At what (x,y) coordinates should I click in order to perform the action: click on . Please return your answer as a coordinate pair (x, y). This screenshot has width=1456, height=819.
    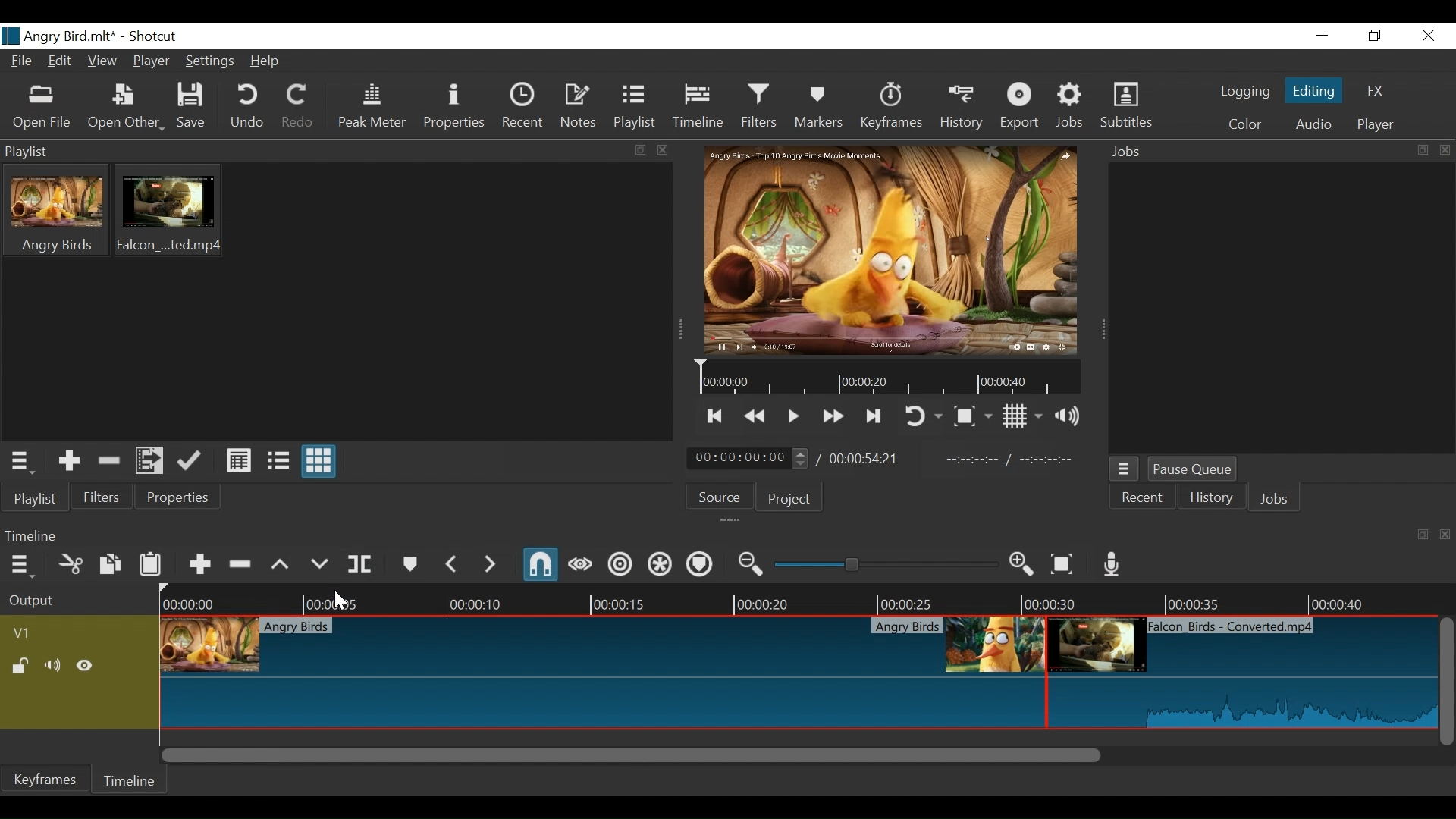
    Looking at the image, I should click on (367, 564).